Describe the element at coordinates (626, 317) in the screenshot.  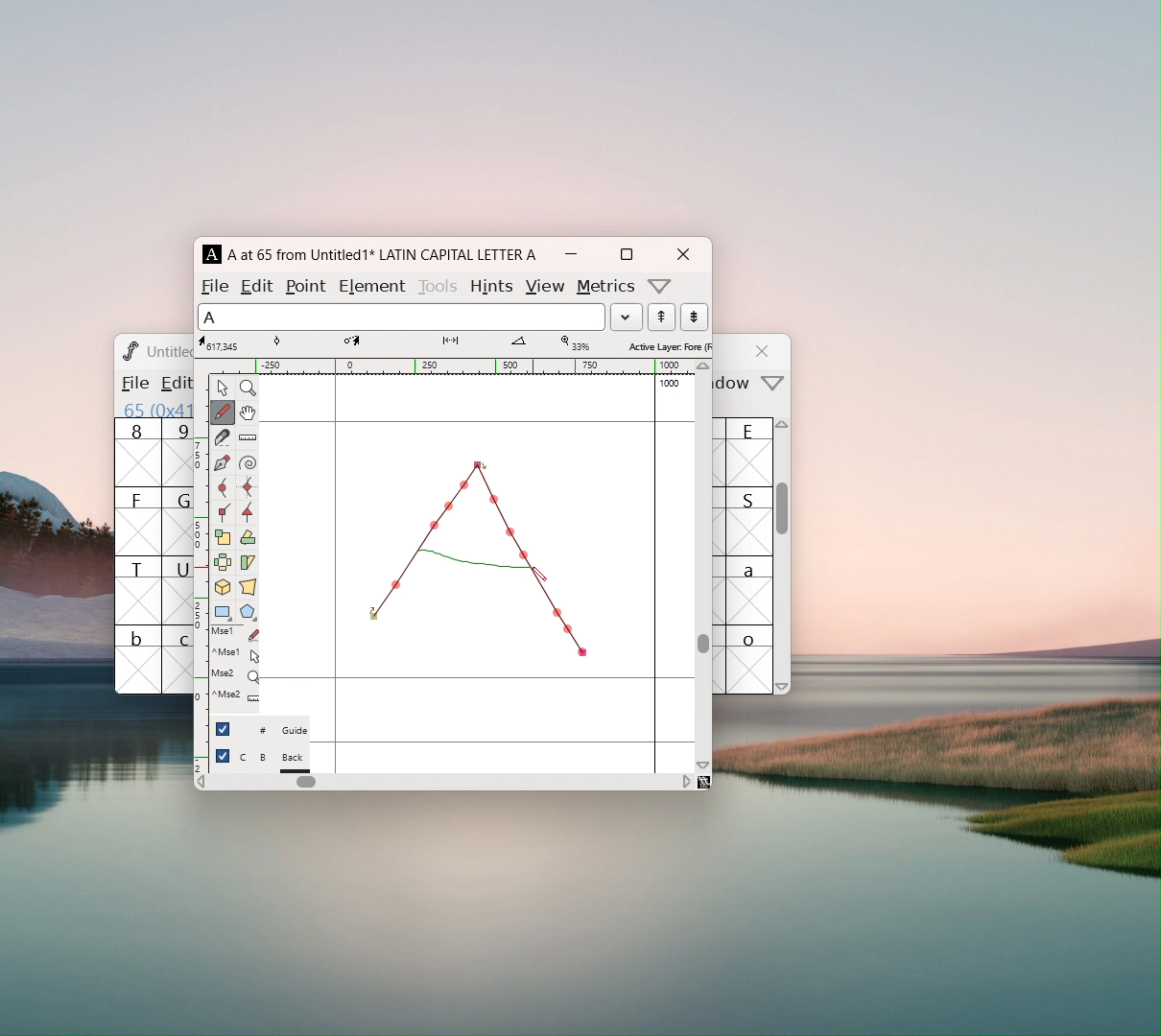
I see `load word list` at that location.